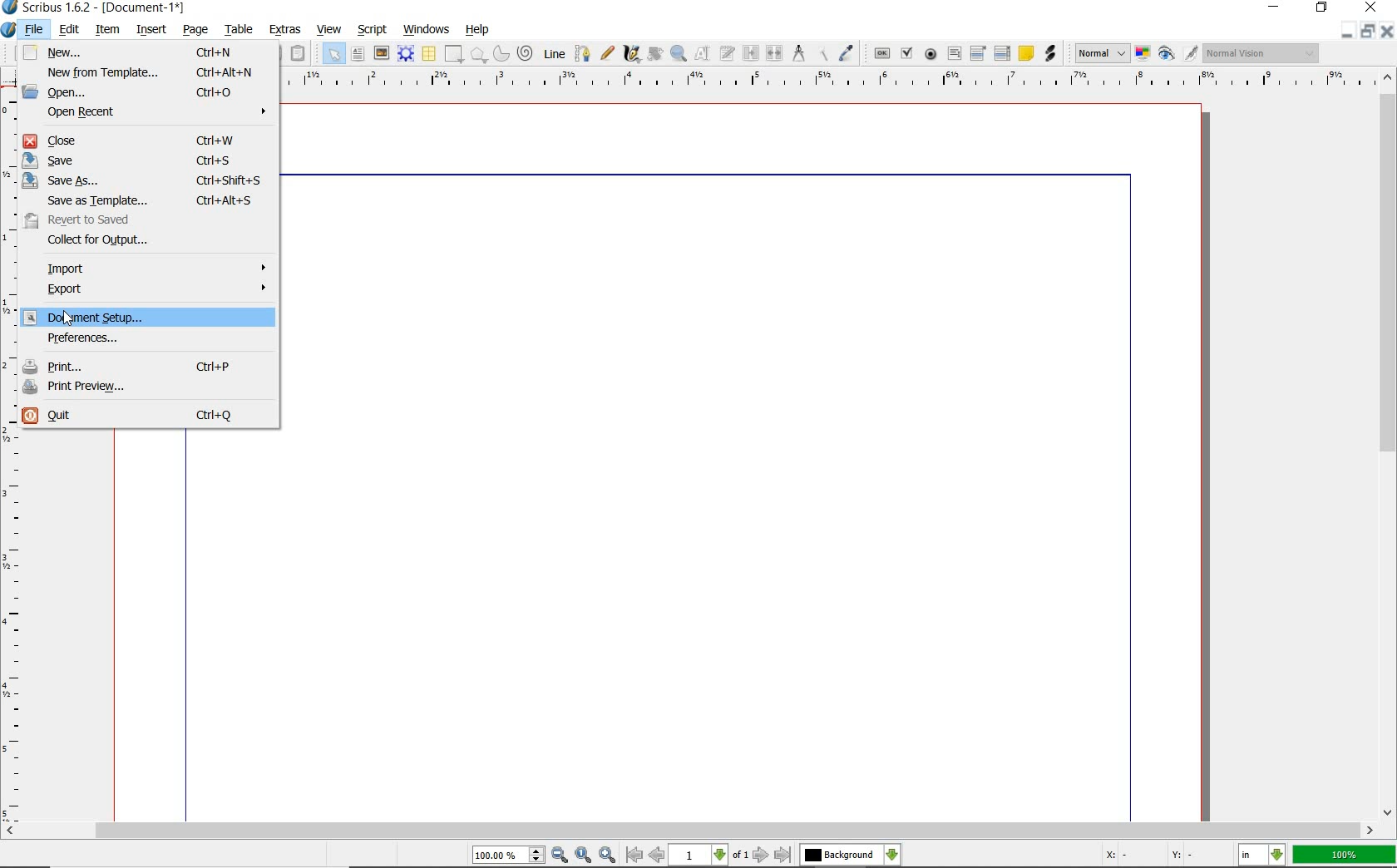  I want to click on pdf radio button, so click(931, 54).